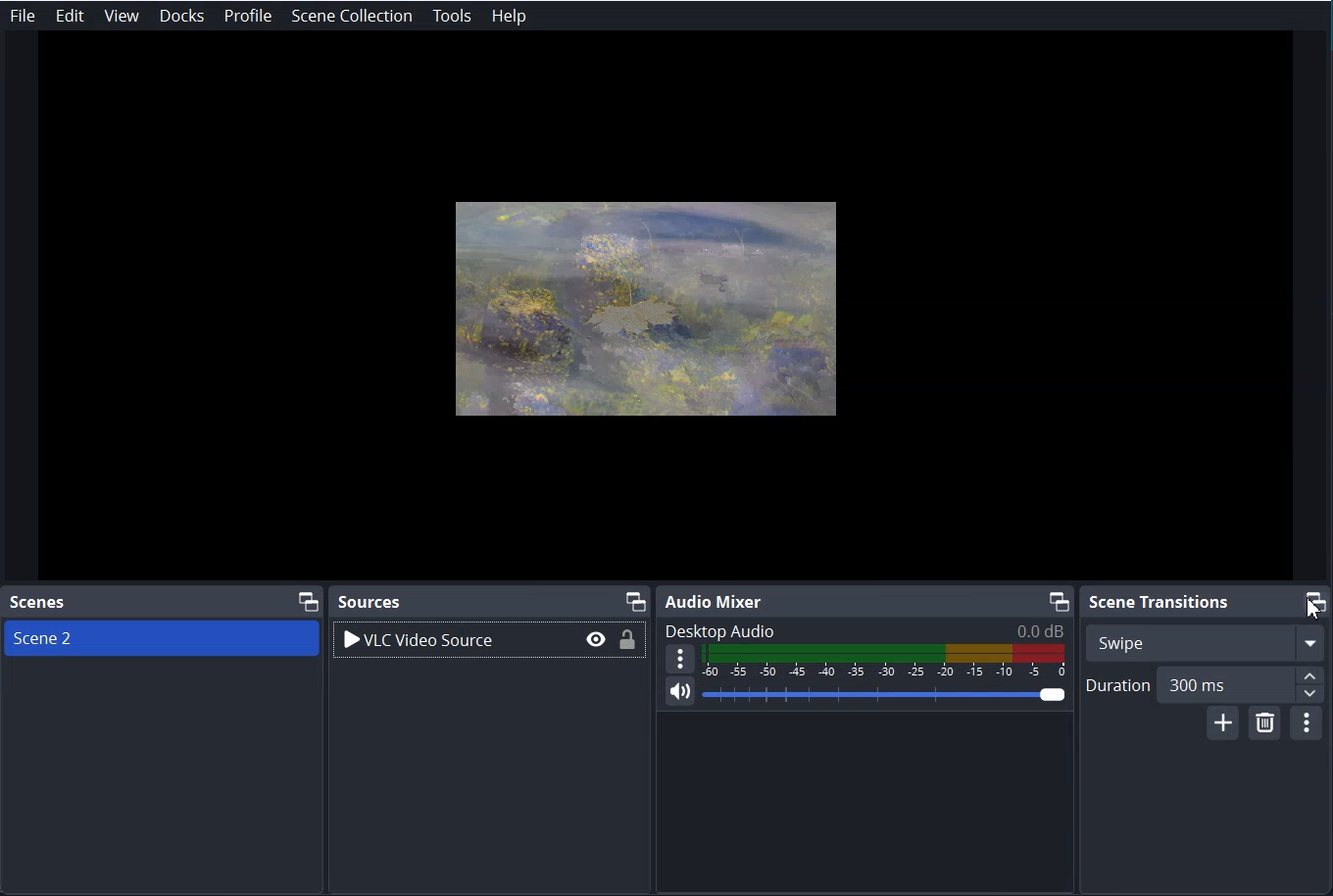 Image resolution: width=1333 pixels, height=896 pixels. Describe the element at coordinates (1060, 600) in the screenshot. I see `Maximize` at that location.